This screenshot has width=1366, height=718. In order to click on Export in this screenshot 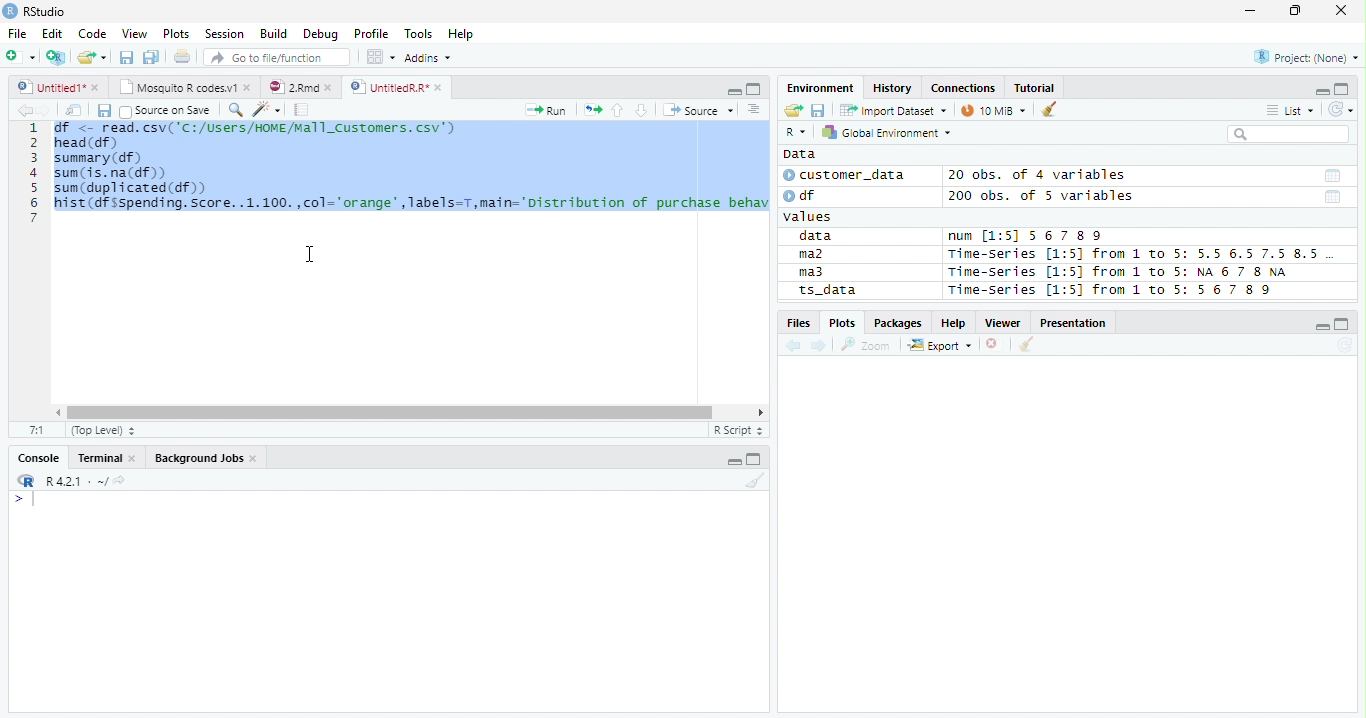, I will do `click(940, 346)`.